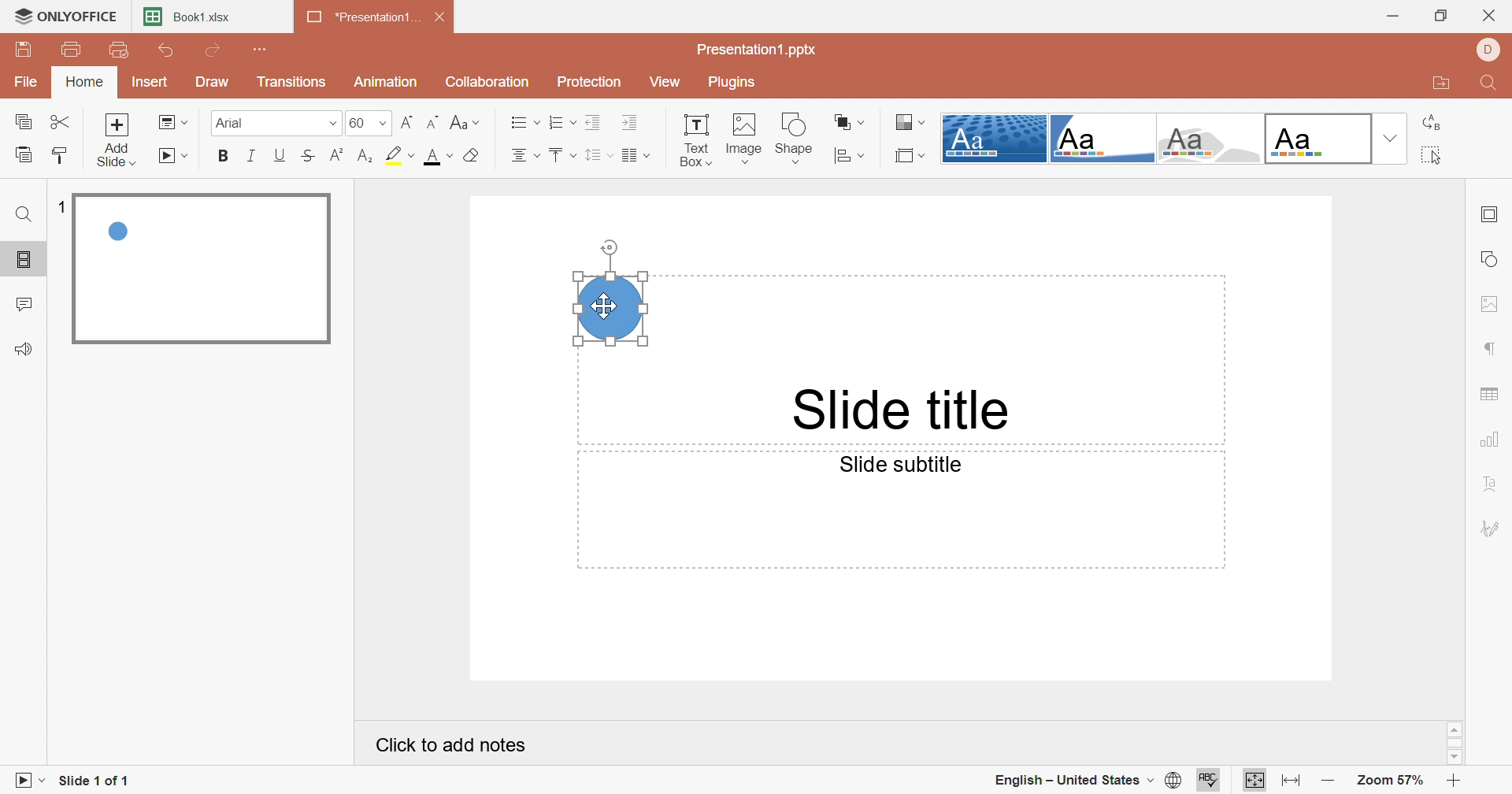 The width and height of the screenshot is (1512, 794). Describe the element at coordinates (22, 260) in the screenshot. I see `Slides` at that location.